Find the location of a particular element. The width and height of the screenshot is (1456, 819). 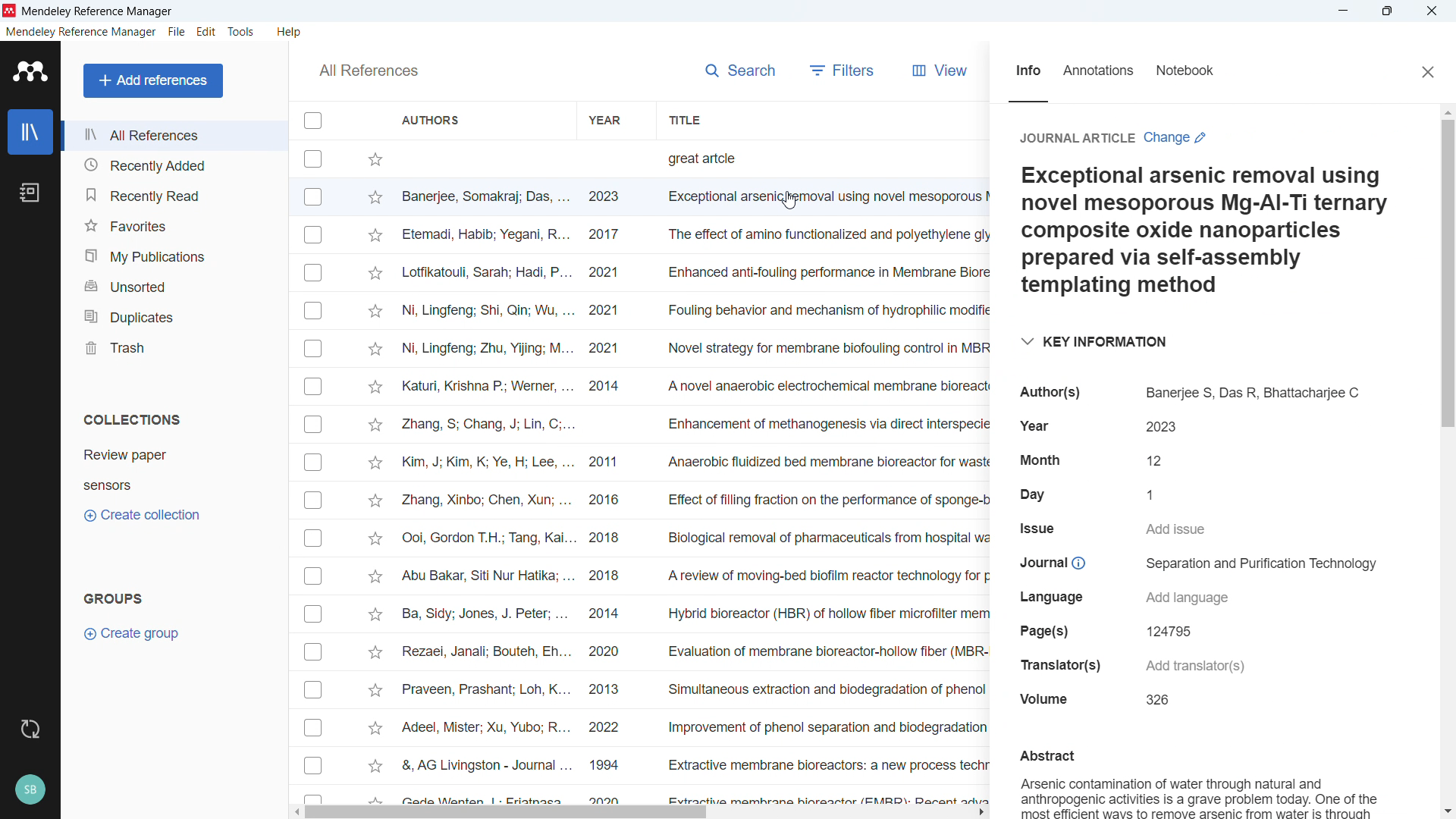

Authors is located at coordinates (1050, 393).